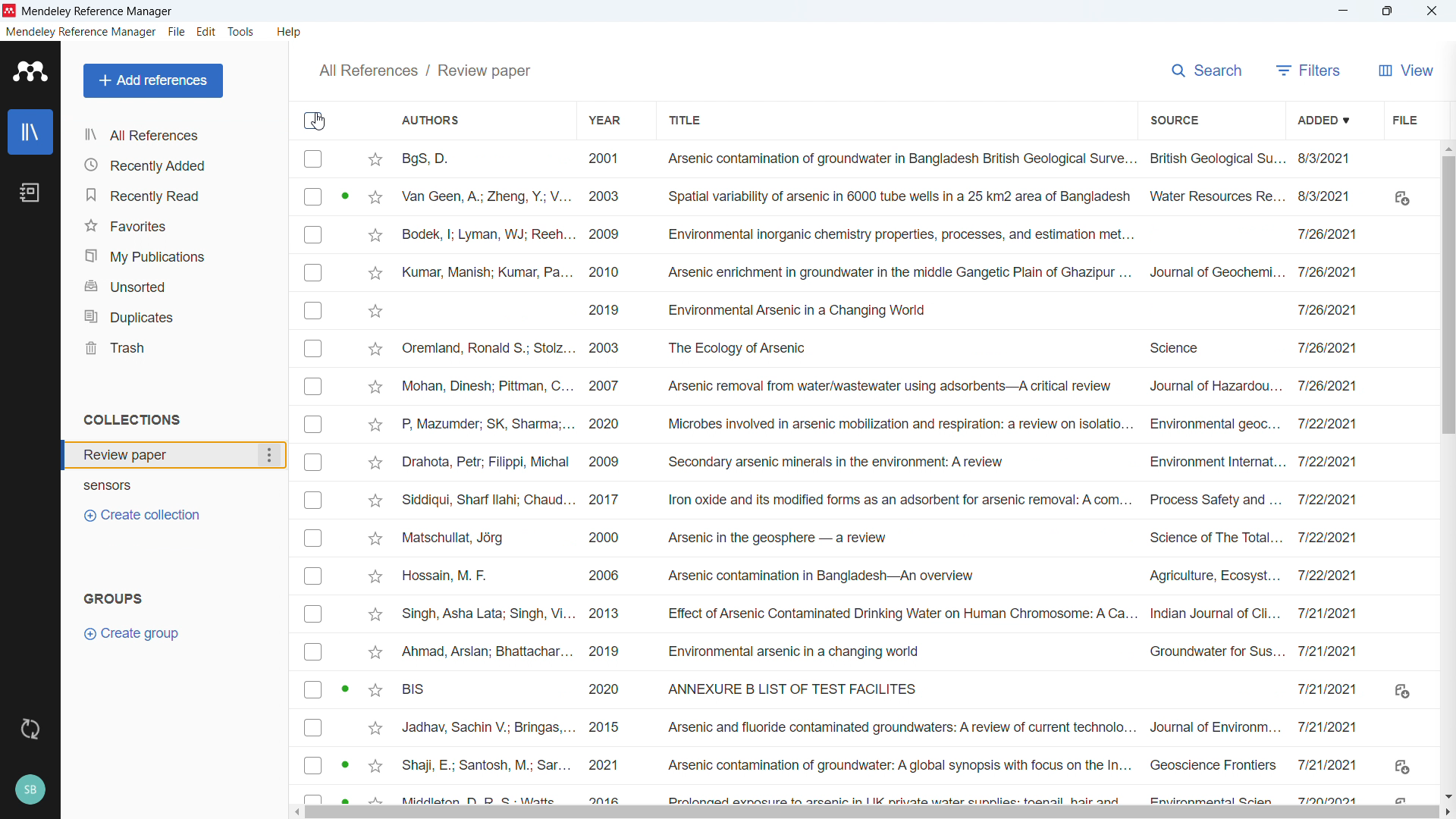  Describe the element at coordinates (376, 615) in the screenshot. I see `Star mark respective publication` at that location.